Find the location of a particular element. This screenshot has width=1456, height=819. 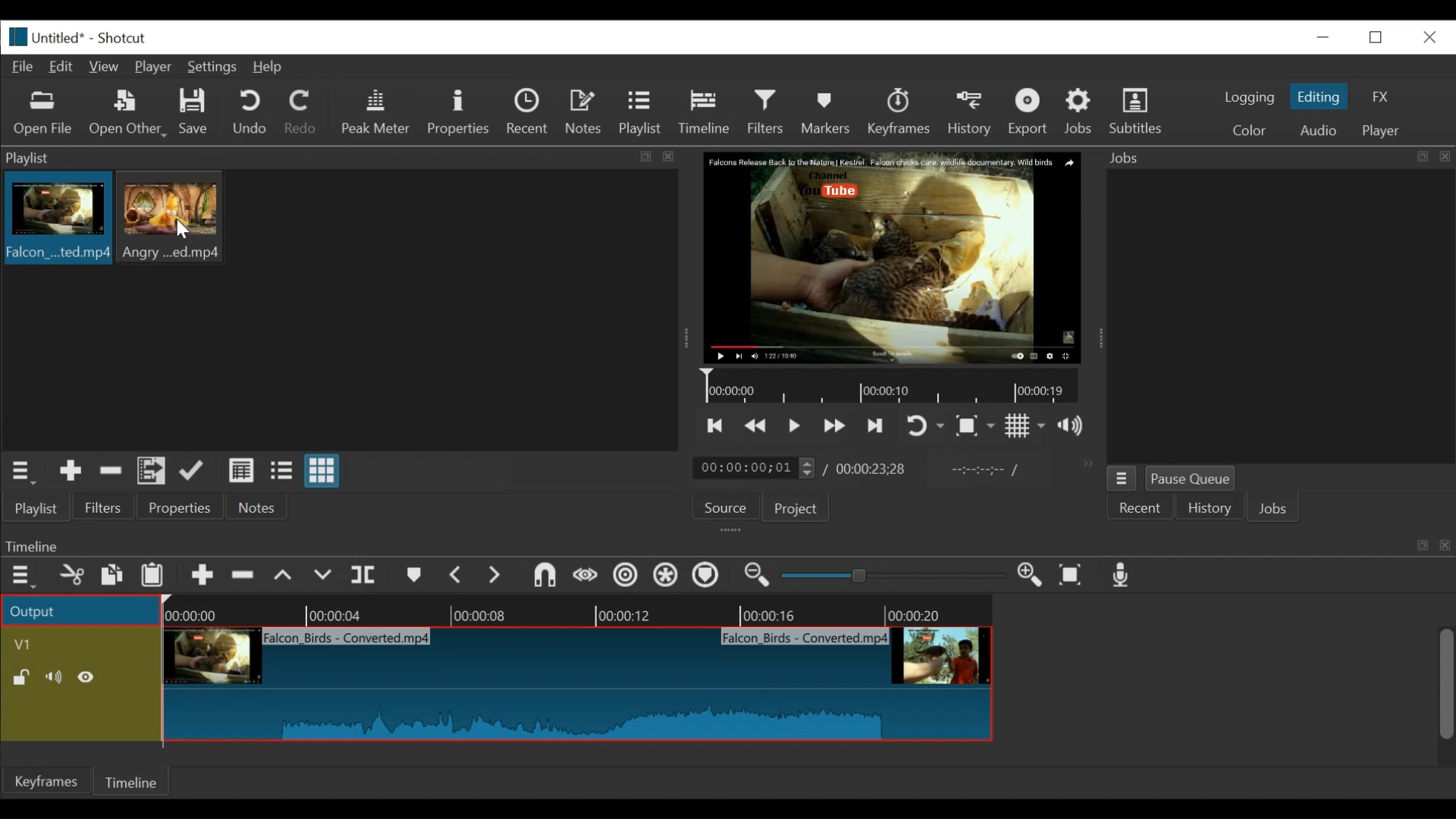

view as files is located at coordinates (283, 470).